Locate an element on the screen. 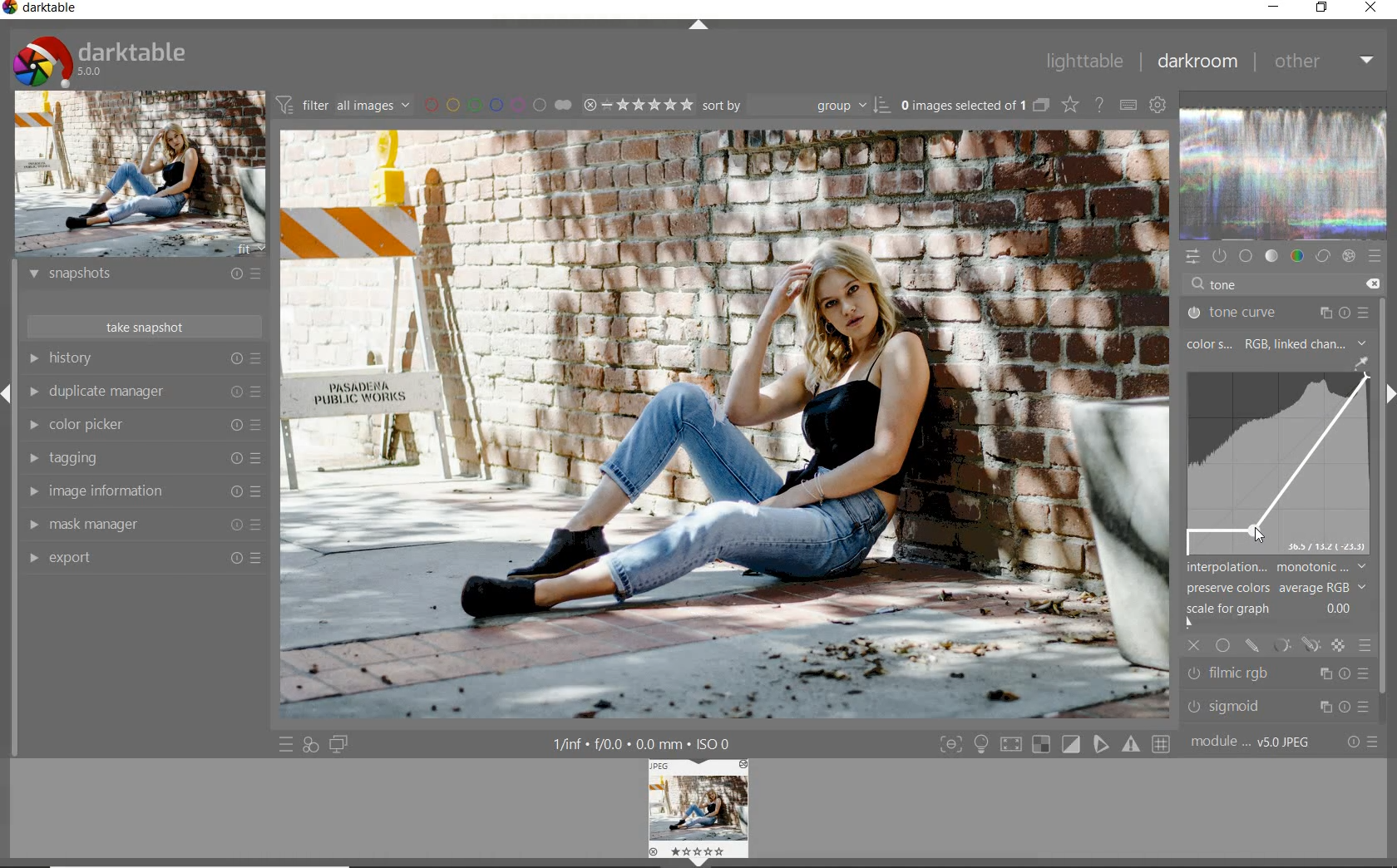 The width and height of the screenshot is (1397, 868). quick access panel is located at coordinates (1192, 255).